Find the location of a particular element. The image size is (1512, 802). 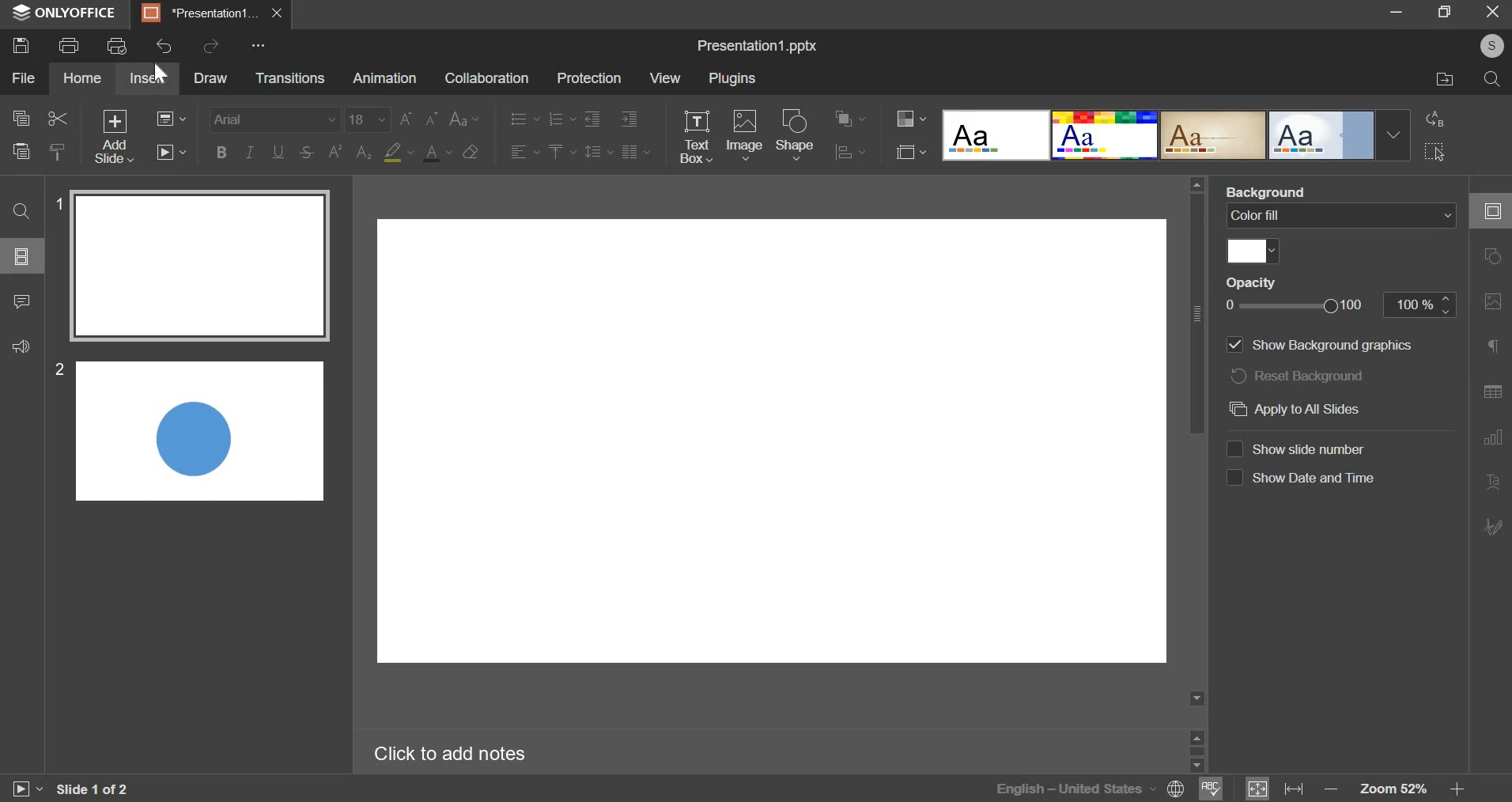

reset background is located at coordinates (1302, 377).